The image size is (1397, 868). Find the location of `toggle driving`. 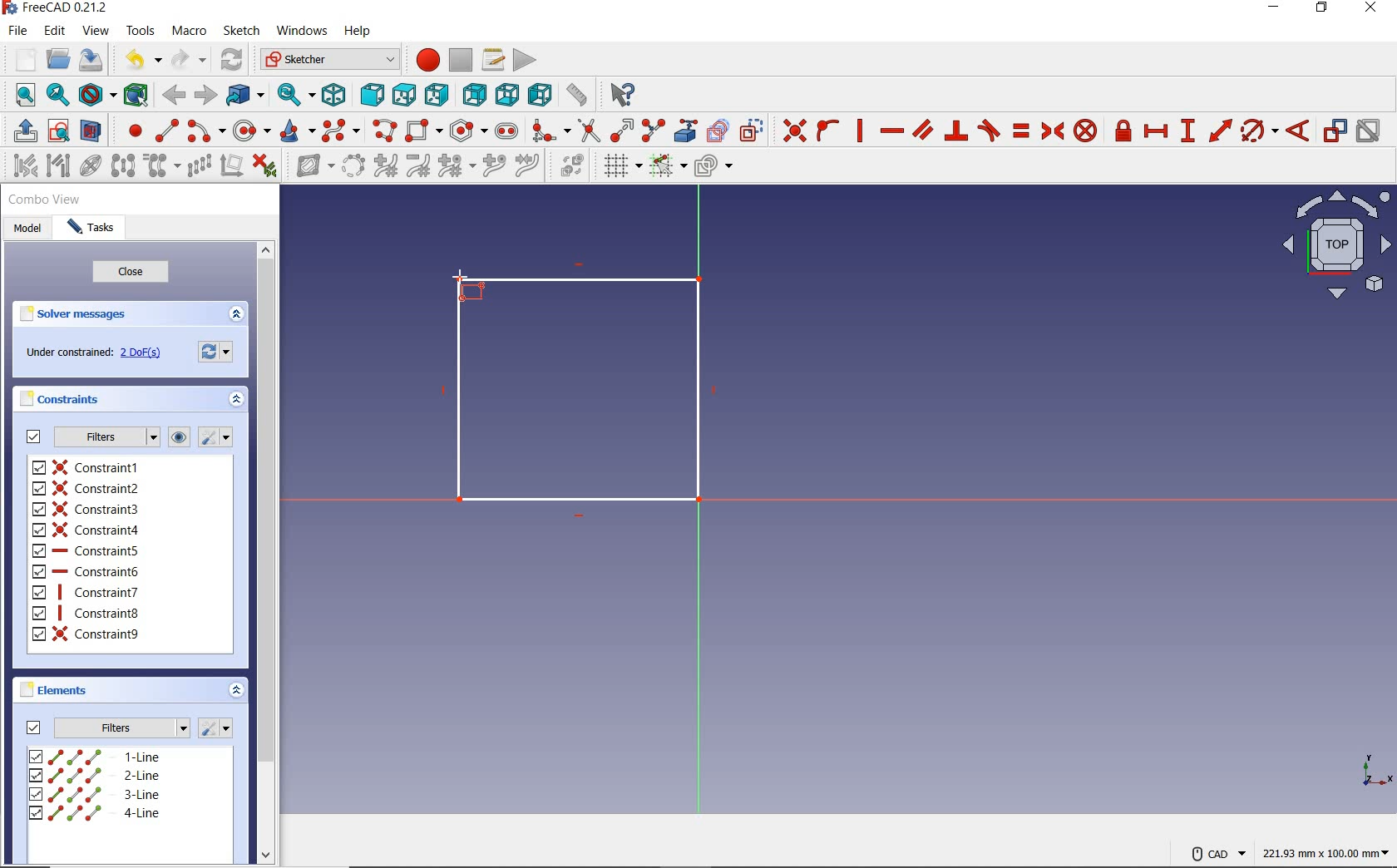

toggle driving is located at coordinates (1335, 131).